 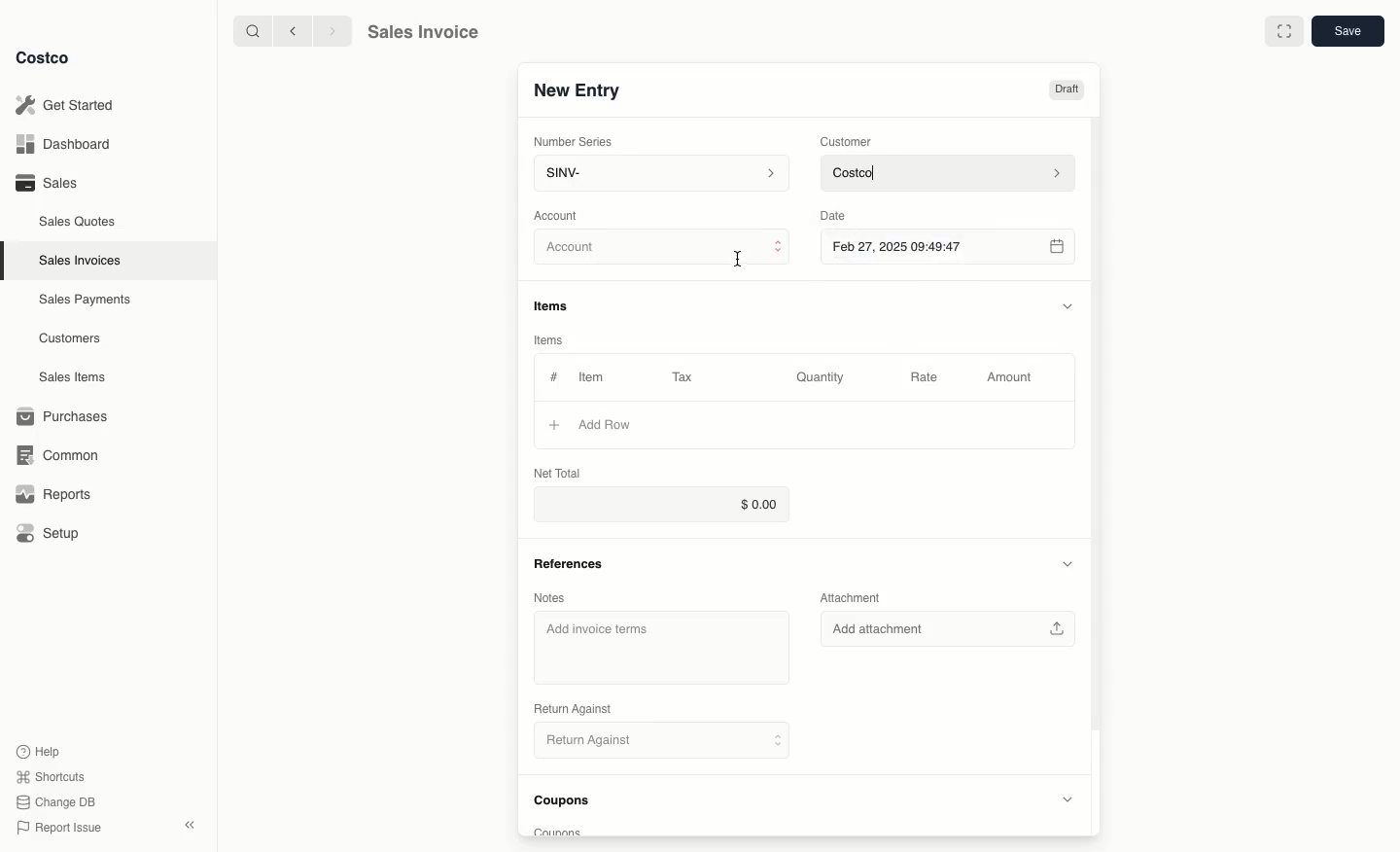 What do you see at coordinates (63, 416) in the screenshot?
I see `Purchases` at bounding box center [63, 416].